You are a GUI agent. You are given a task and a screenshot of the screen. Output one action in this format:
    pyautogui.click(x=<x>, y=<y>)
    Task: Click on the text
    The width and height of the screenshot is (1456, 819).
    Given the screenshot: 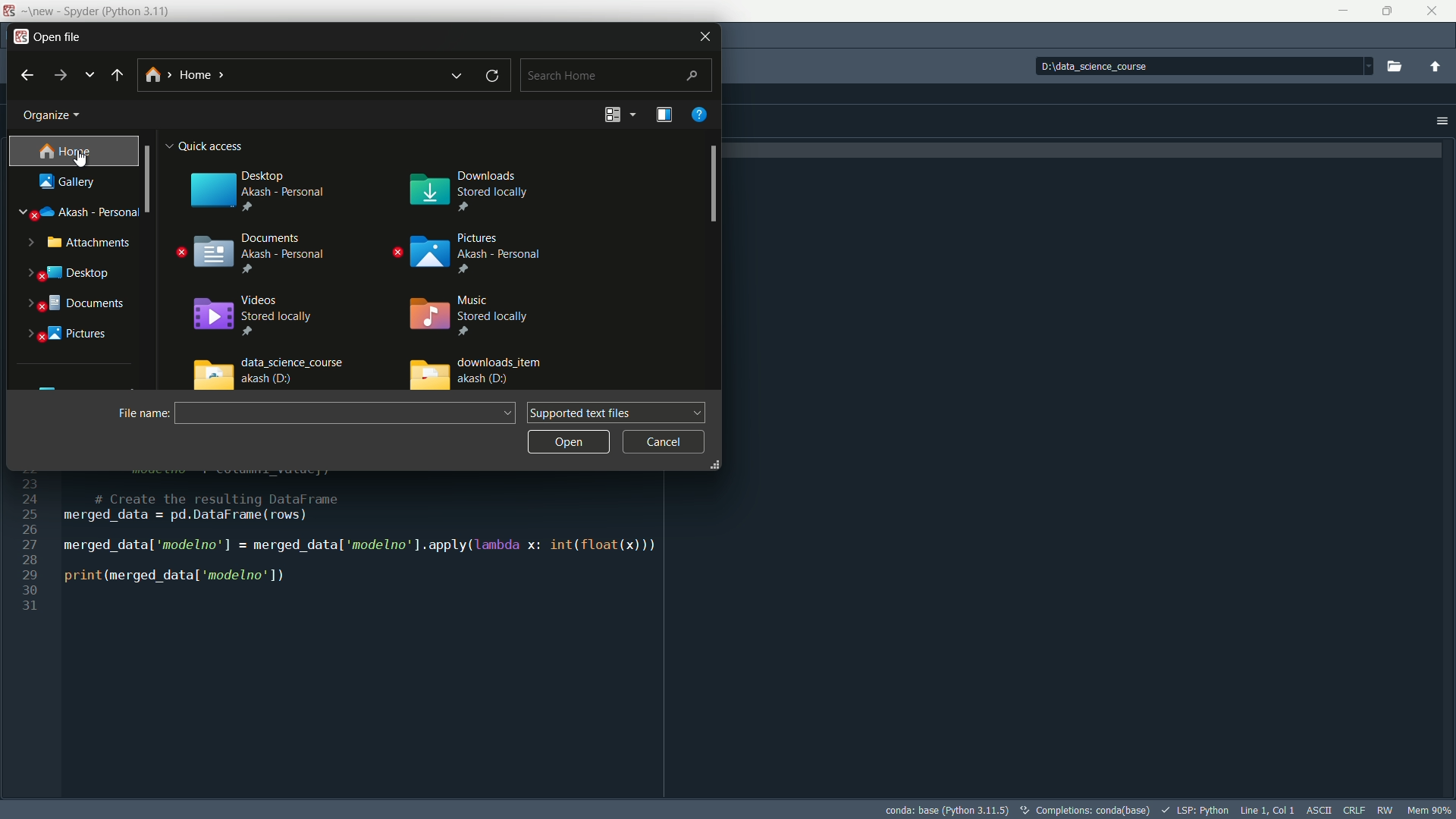 What is the action you would take?
    pyautogui.click(x=1085, y=810)
    